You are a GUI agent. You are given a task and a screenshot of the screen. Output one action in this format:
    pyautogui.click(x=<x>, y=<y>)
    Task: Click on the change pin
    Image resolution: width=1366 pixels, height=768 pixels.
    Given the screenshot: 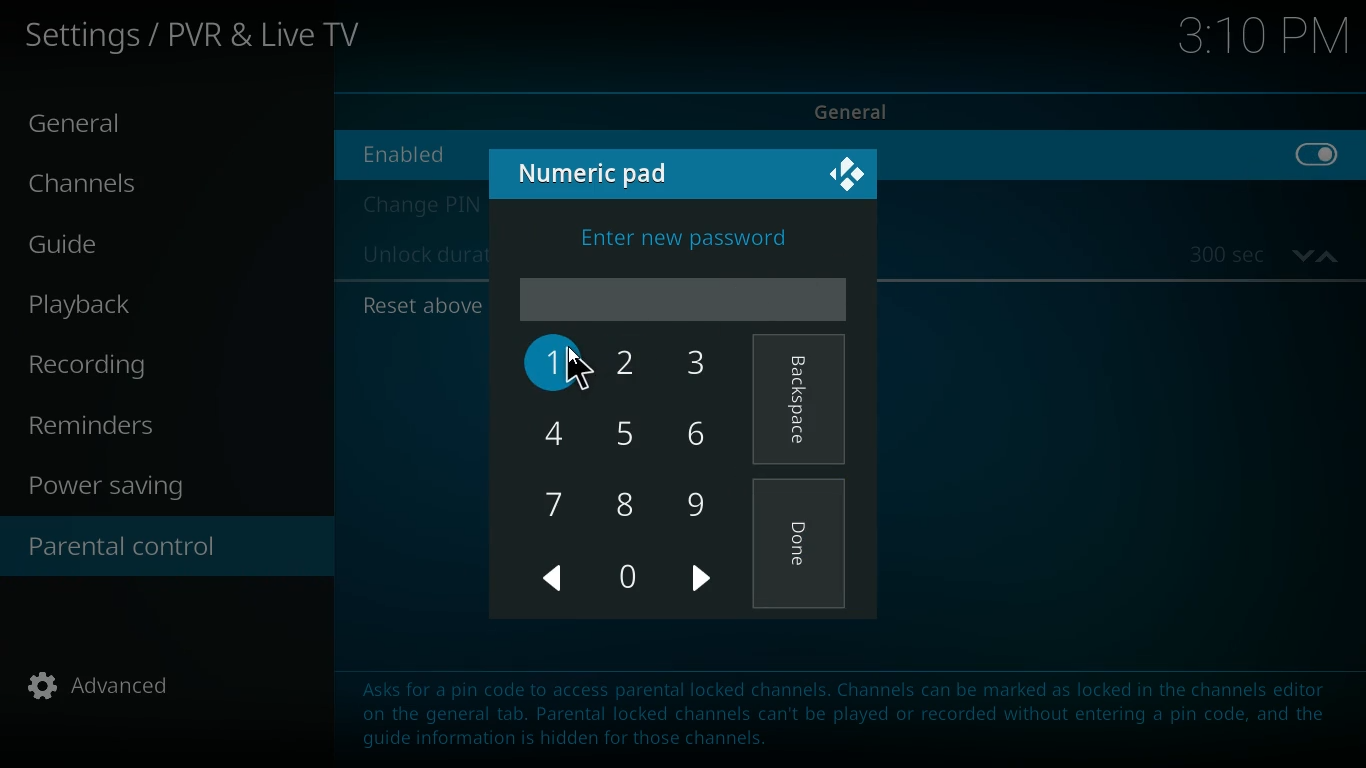 What is the action you would take?
    pyautogui.click(x=418, y=205)
    